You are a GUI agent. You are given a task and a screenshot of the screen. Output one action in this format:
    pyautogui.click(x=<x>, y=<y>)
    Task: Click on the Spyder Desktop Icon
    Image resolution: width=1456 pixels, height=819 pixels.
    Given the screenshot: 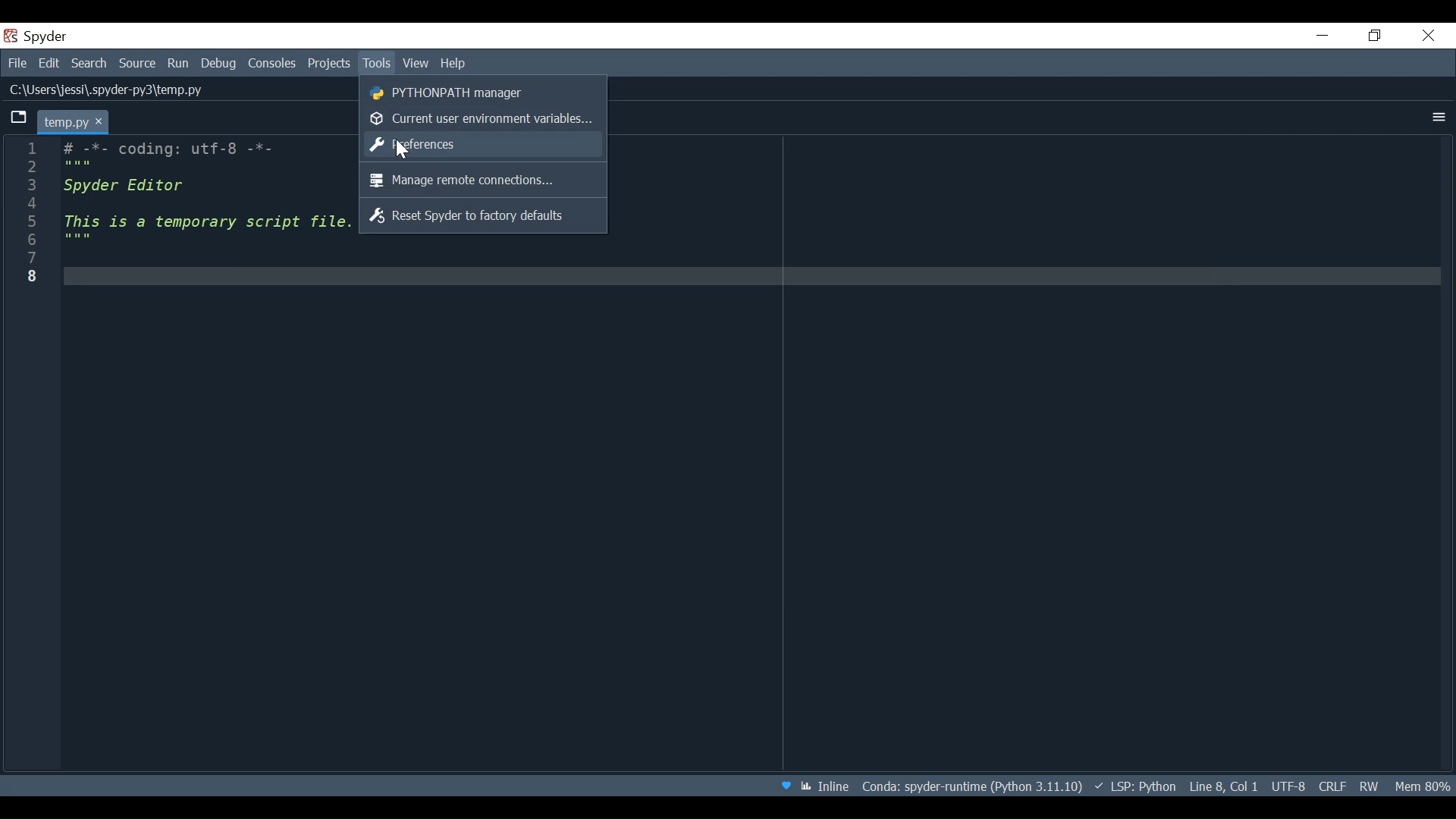 What is the action you would take?
    pyautogui.click(x=39, y=36)
    